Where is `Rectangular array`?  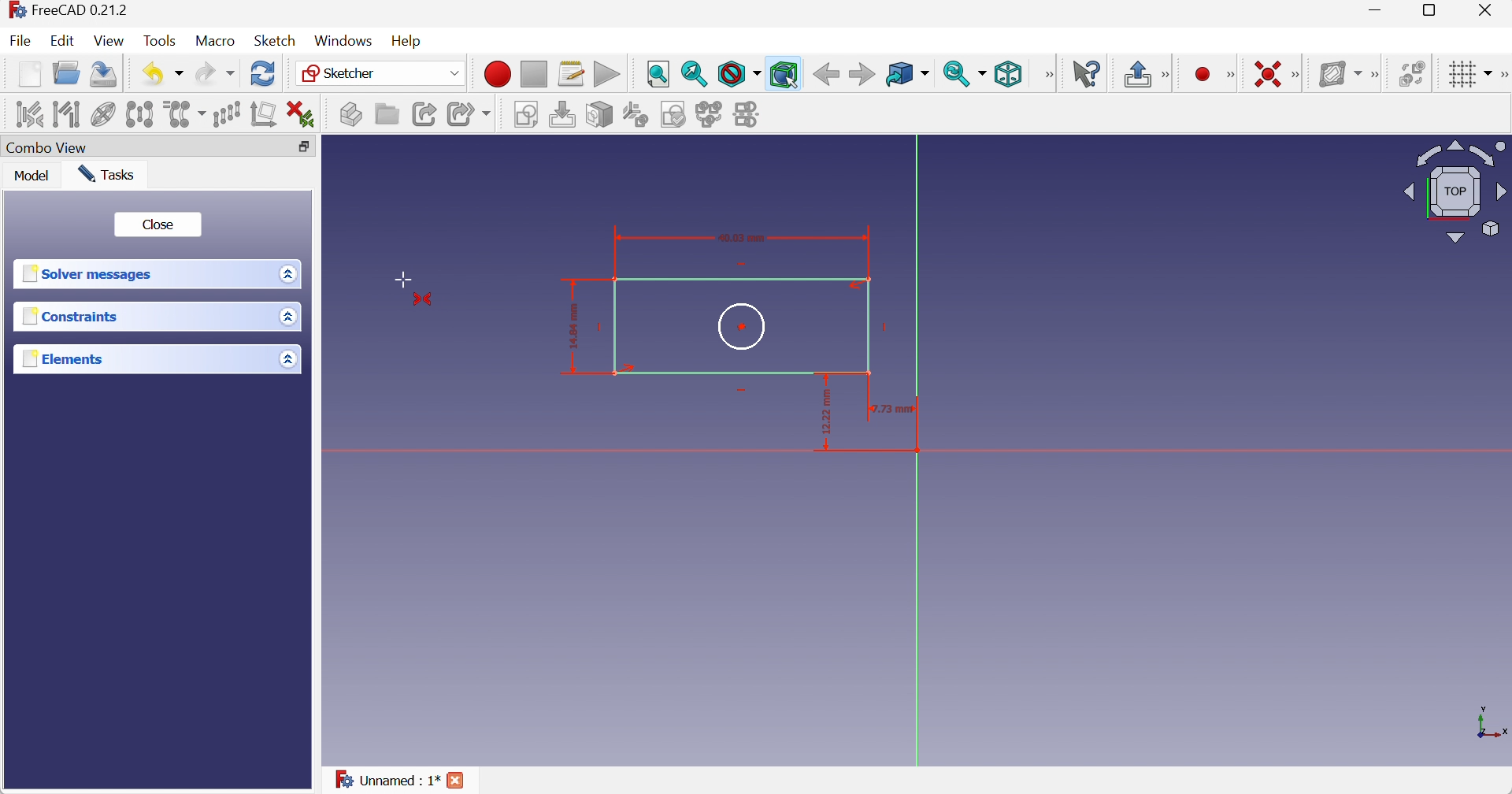
Rectangular array is located at coordinates (228, 114).